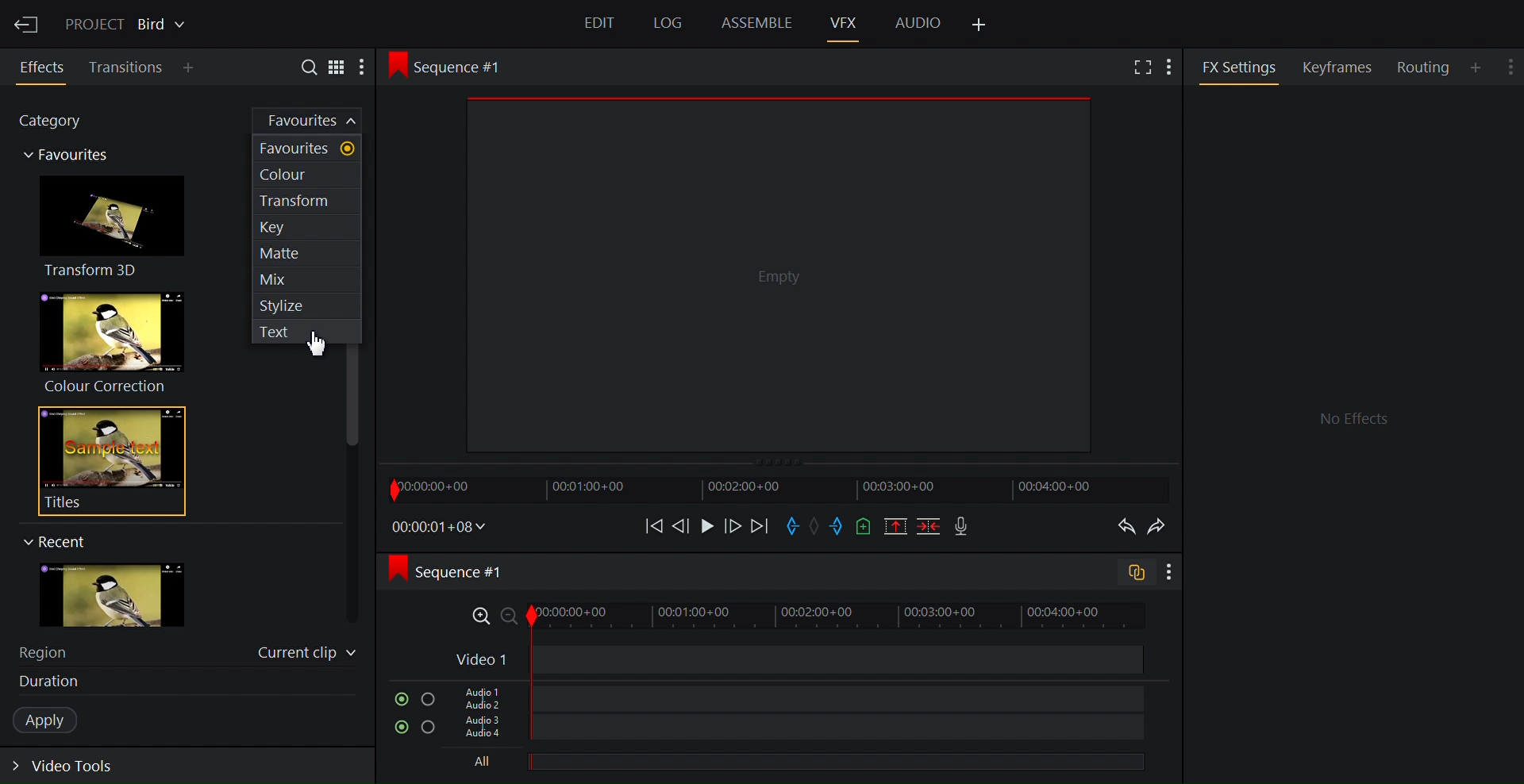  Describe the element at coordinates (59, 123) in the screenshot. I see `Category` at that location.